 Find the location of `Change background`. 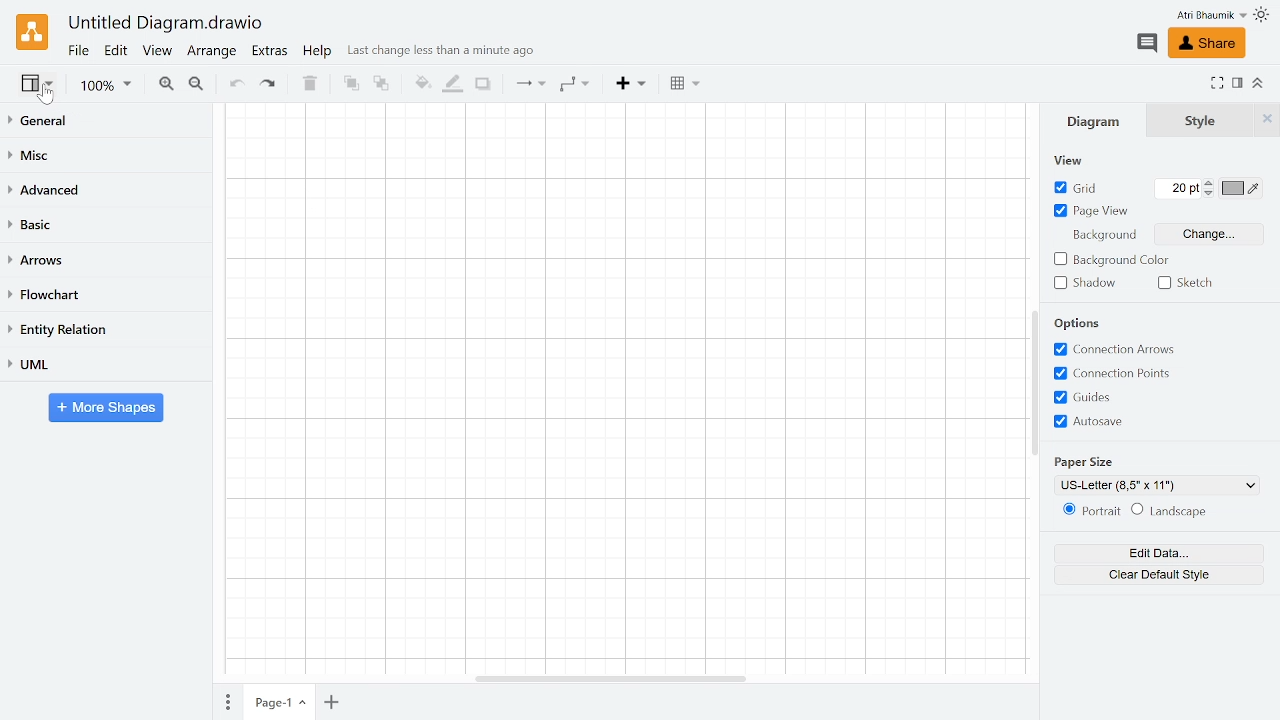

Change background is located at coordinates (1214, 233).